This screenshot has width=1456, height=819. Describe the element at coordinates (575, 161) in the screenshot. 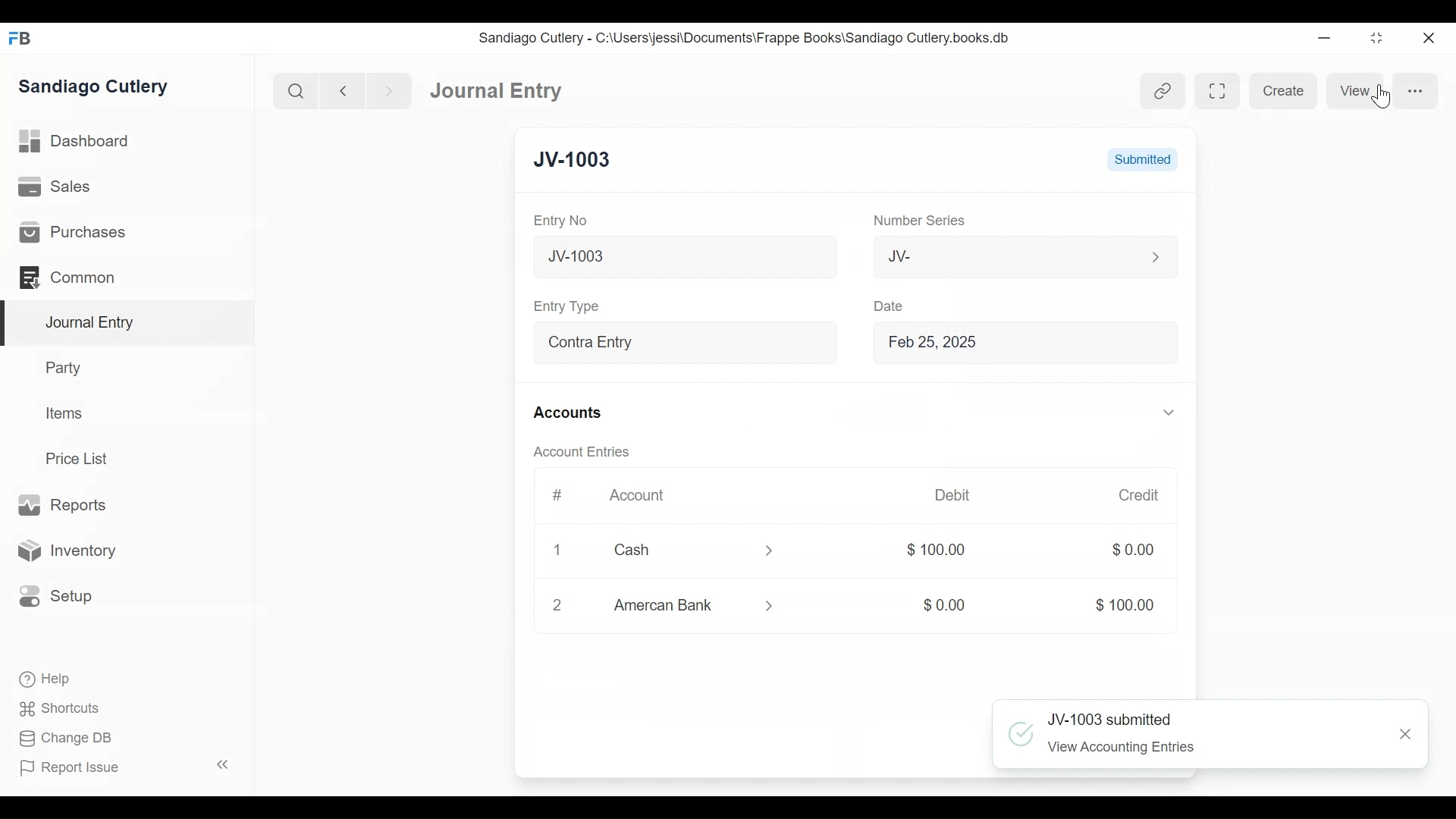

I see `JV-1003` at that location.